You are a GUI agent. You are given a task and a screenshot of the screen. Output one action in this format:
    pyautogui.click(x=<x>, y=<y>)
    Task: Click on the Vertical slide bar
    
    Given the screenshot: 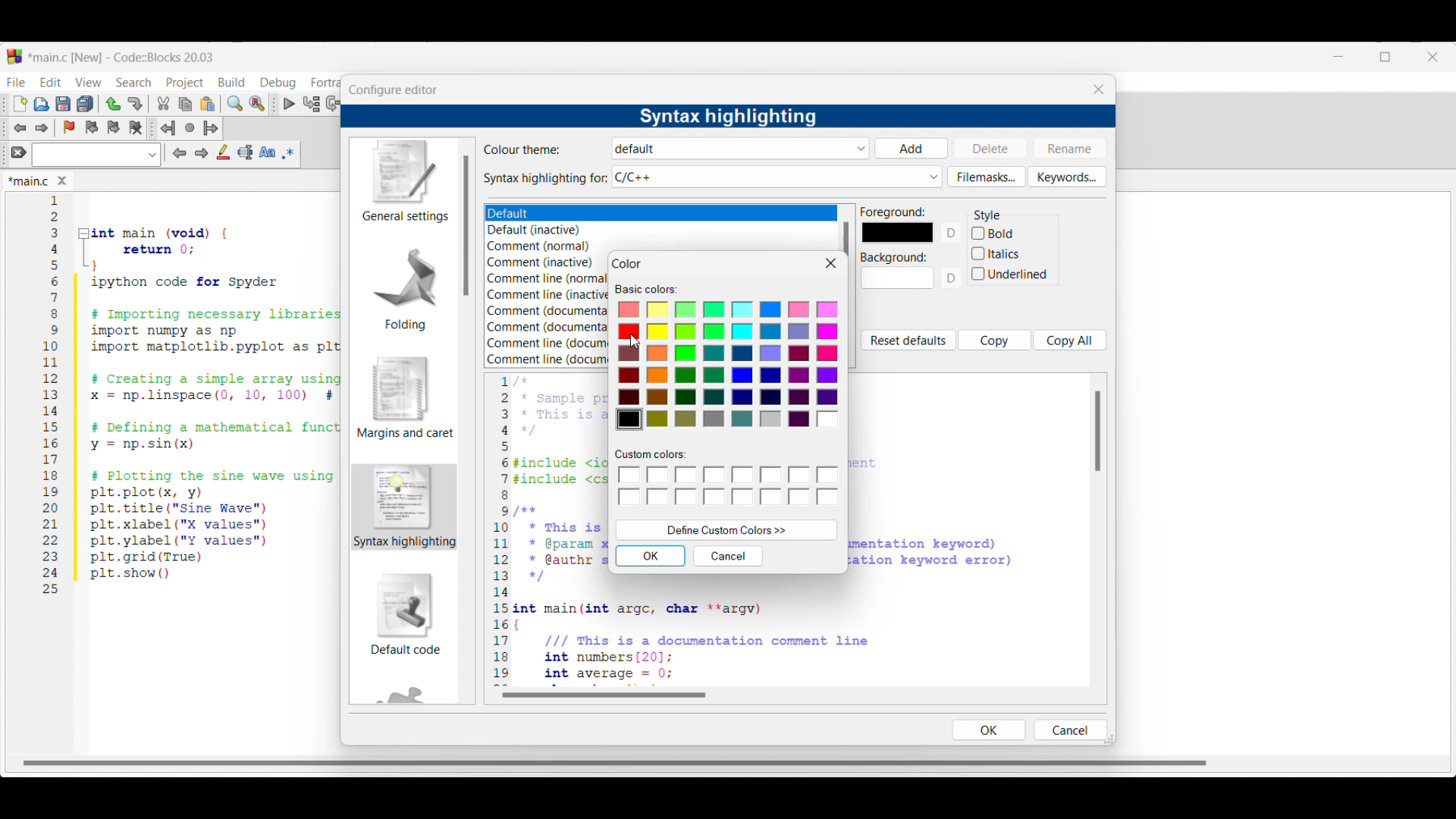 What is the action you would take?
    pyautogui.click(x=466, y=225)
    